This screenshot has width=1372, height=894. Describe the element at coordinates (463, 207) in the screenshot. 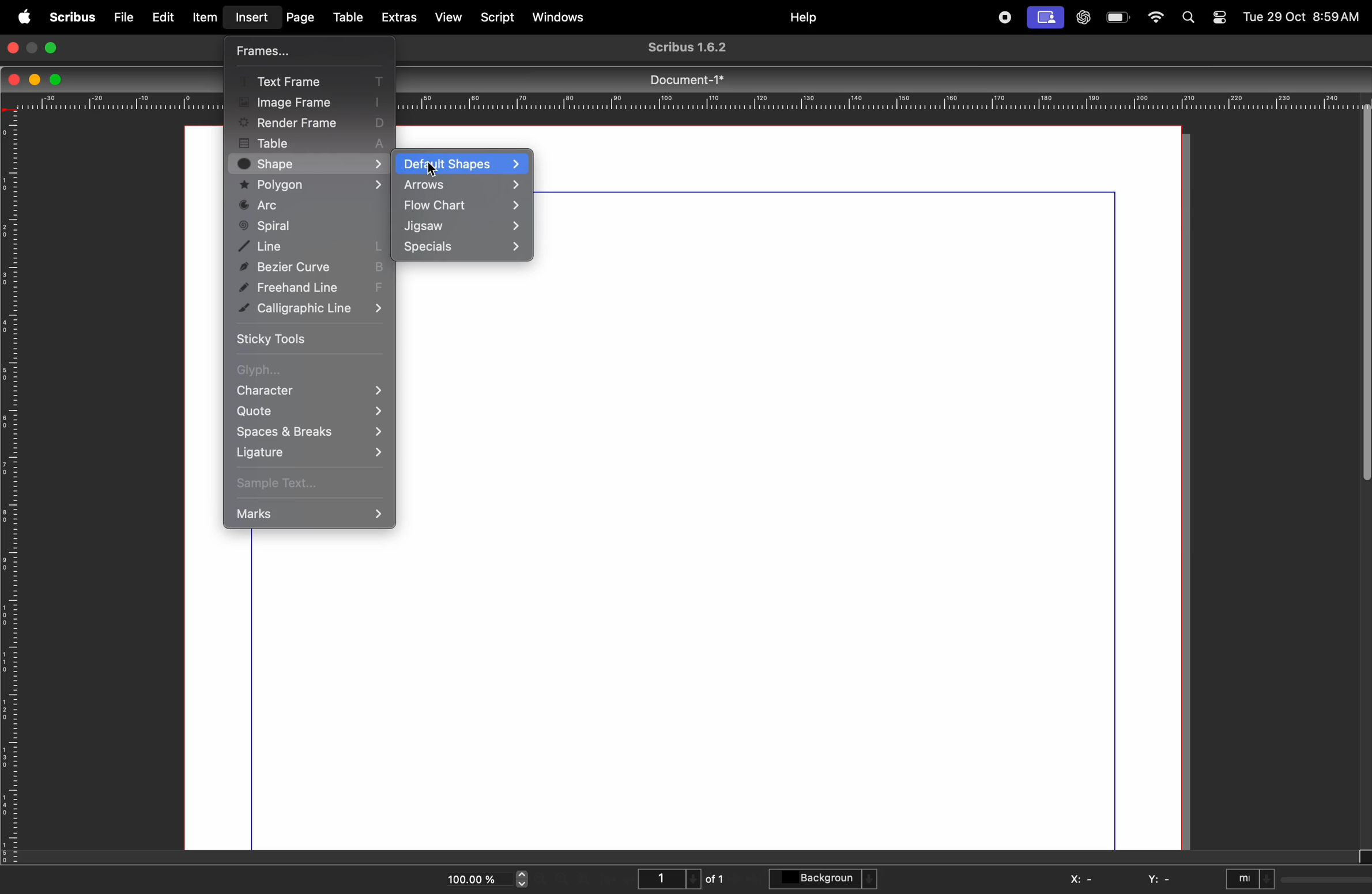

I see `flow charts` at that location.